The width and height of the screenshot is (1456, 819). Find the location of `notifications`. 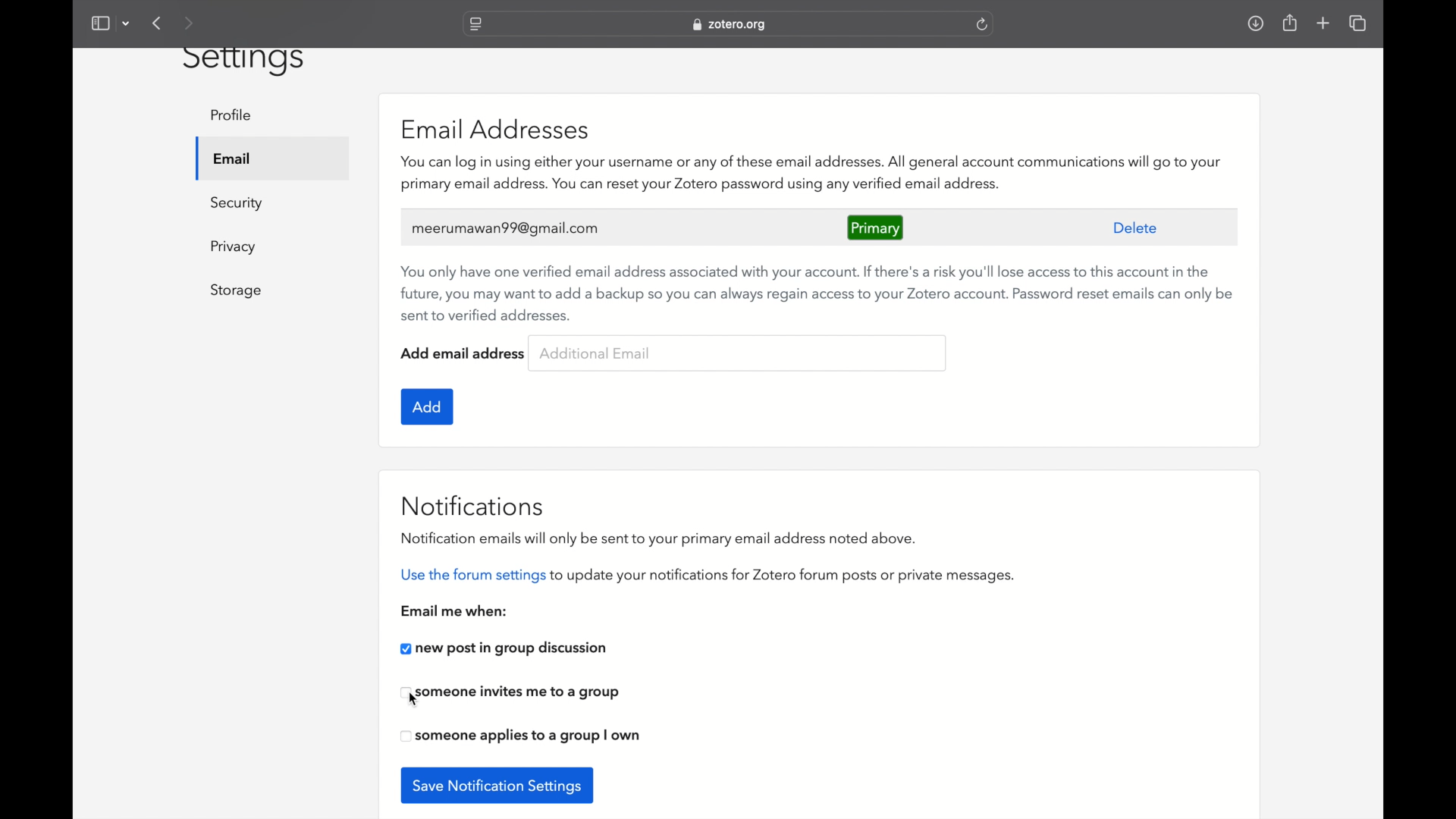

notifications is located at coordinates (472, 505).